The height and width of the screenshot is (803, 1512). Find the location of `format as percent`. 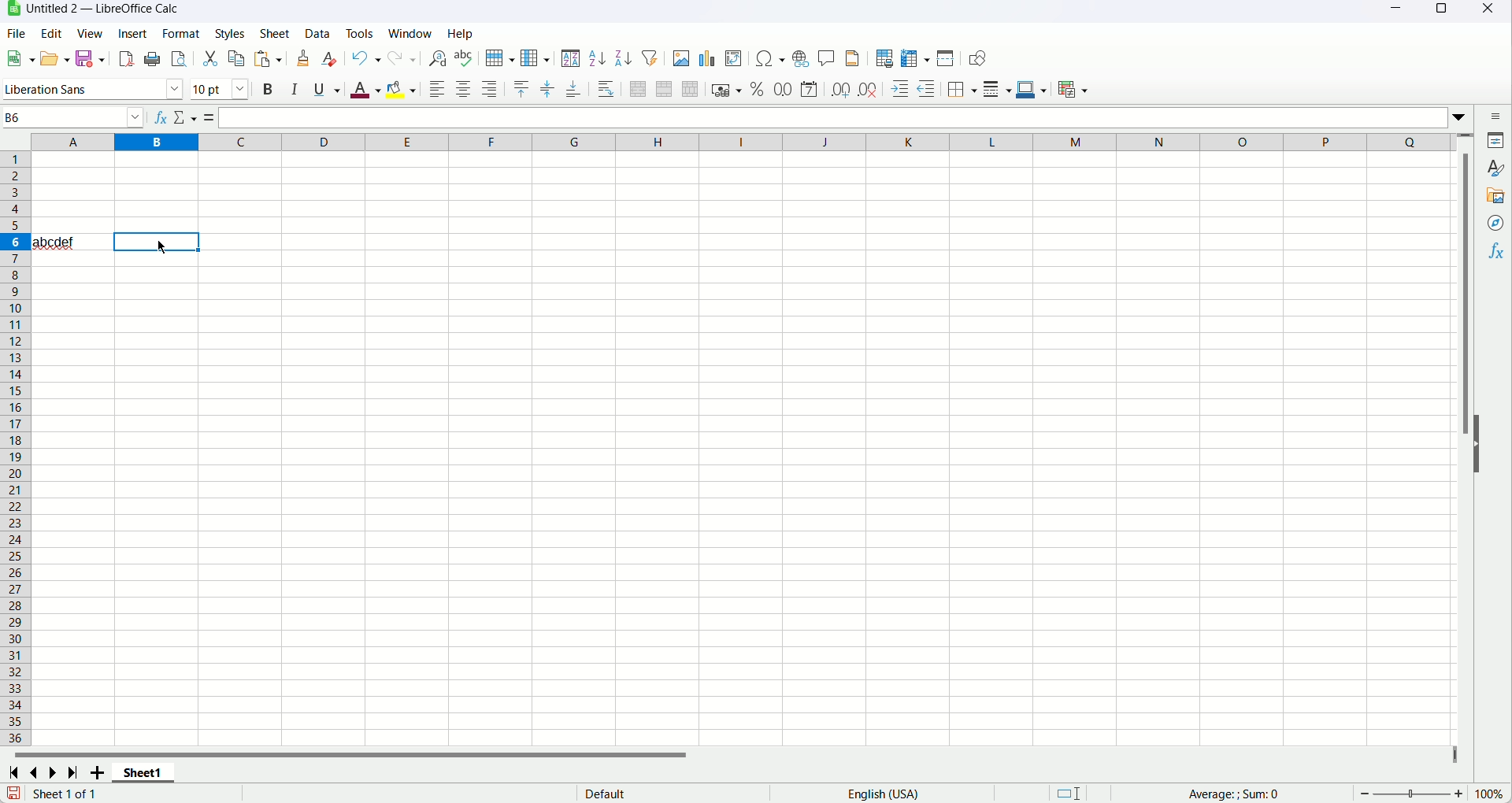

format as percent is located at coordinates (758, 88).